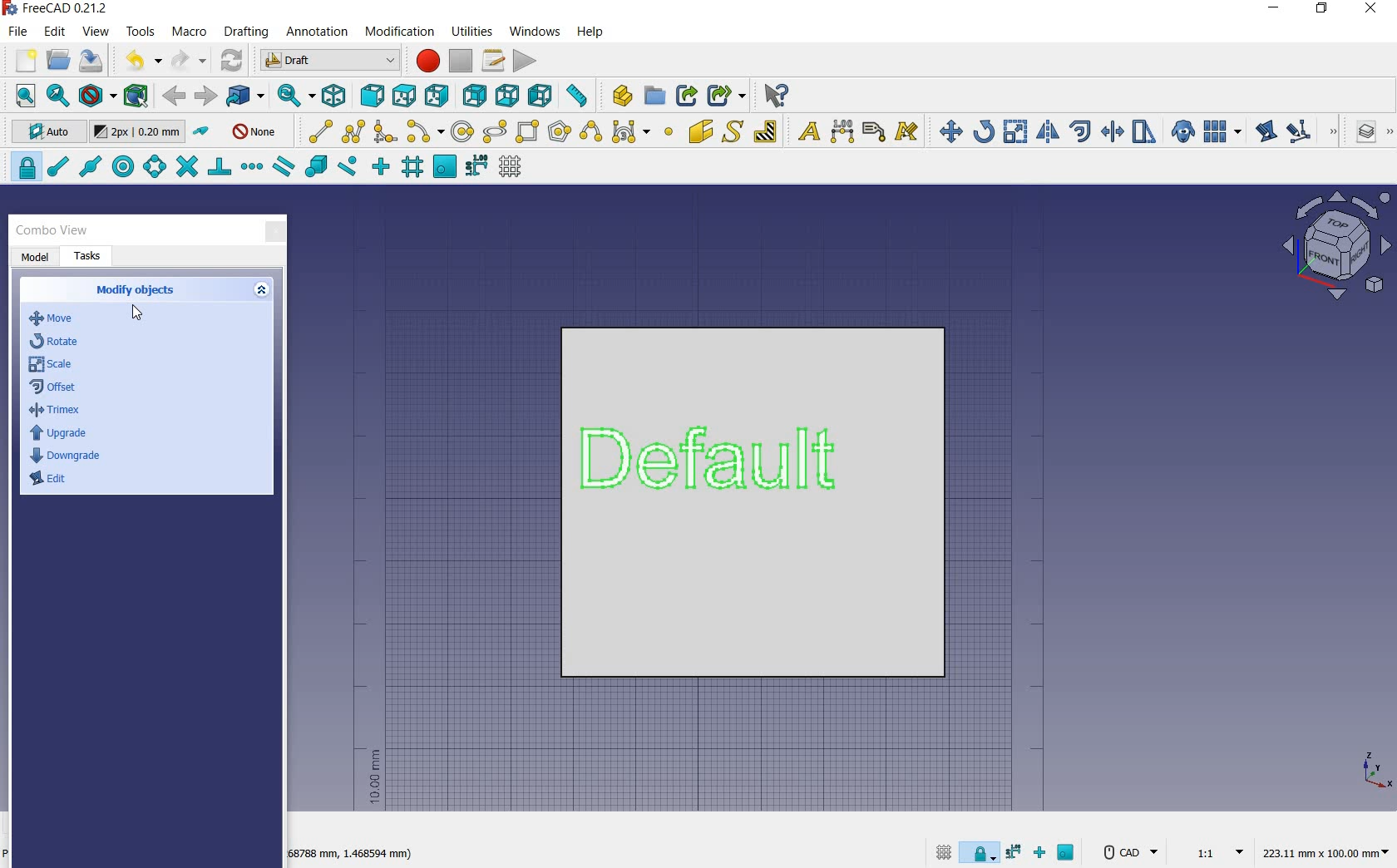 The width and height of the screenshot is (1397, 868). I want to click on facebinder, so click(700, 135).